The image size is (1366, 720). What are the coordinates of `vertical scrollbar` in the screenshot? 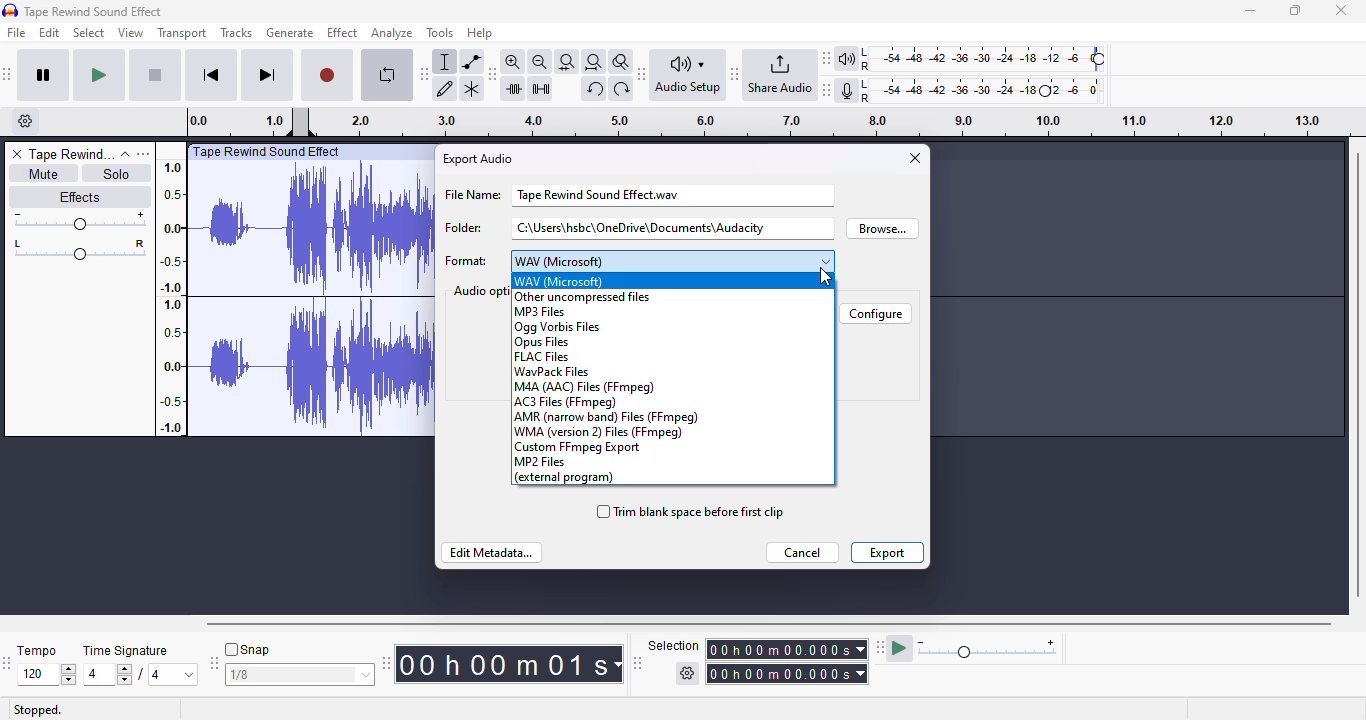 It's located at (1357, 374).